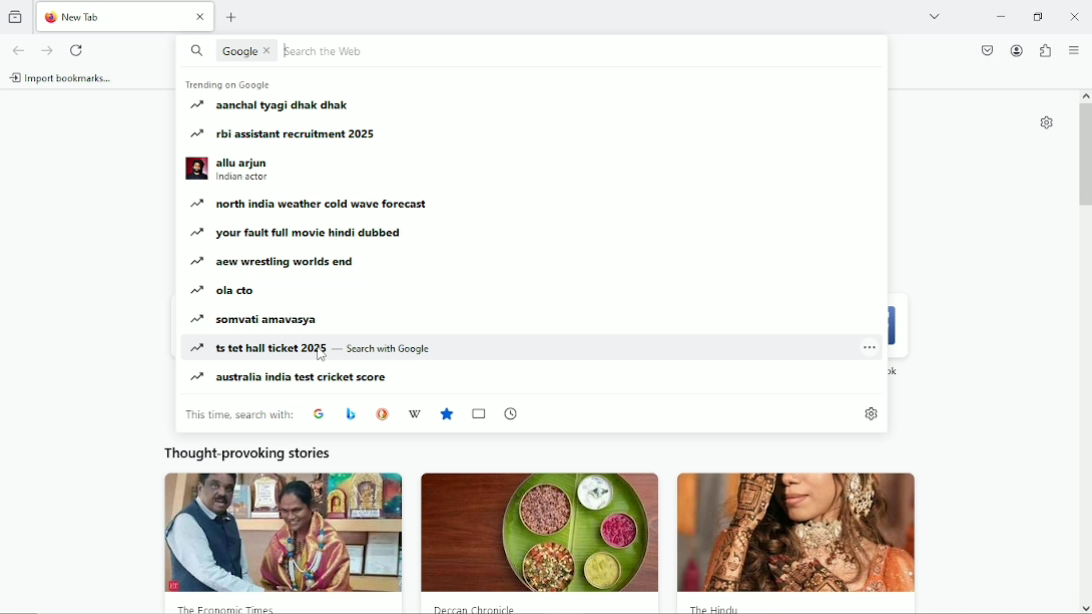 This screenshot has height=614, width=1092. What do you see at coordinates (194, 52) in the screenshot?
I see `search logo` at bounding box center [194, 52].